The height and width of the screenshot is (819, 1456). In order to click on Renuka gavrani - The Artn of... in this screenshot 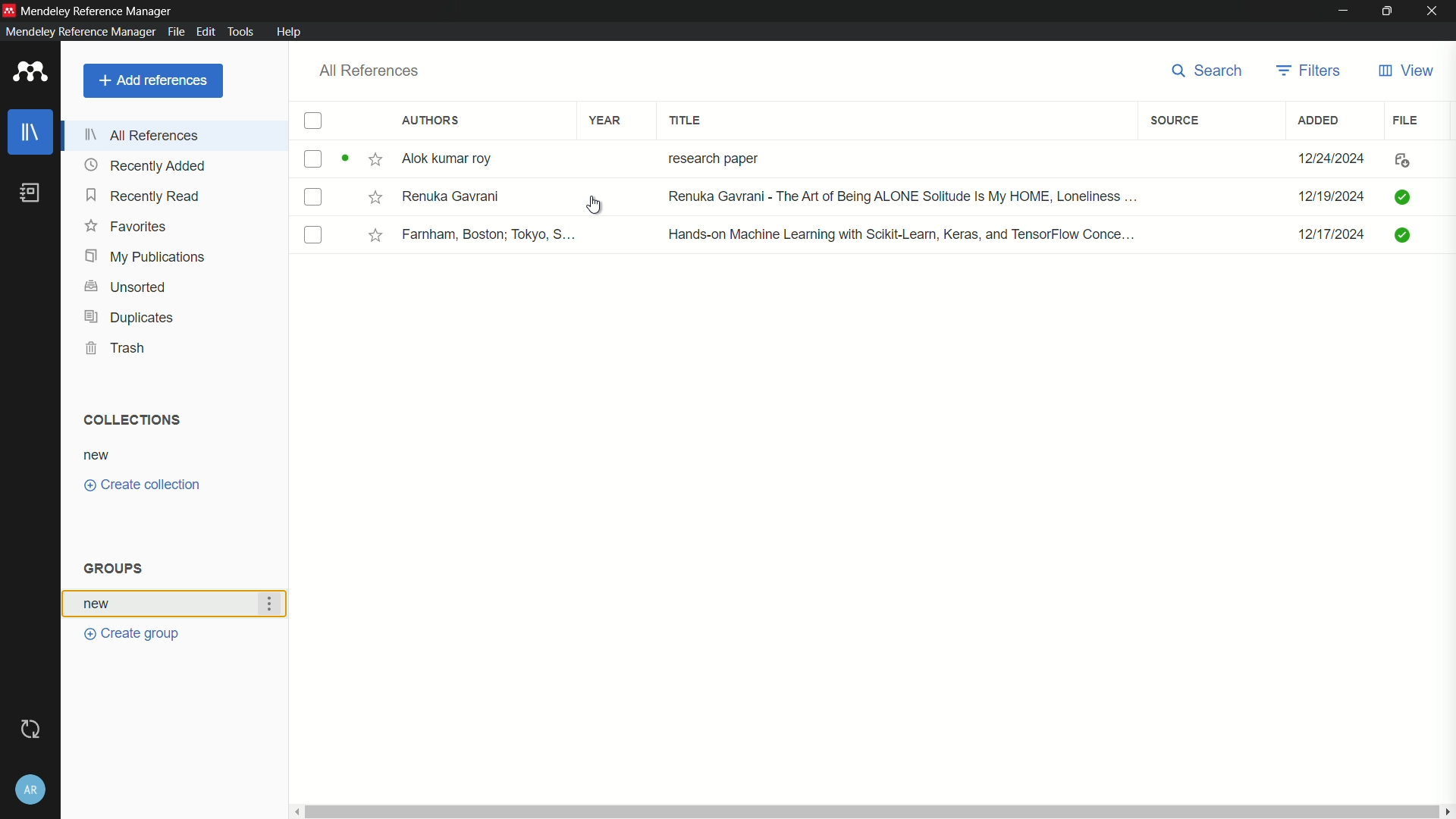, I will do `click(897, 198)`.